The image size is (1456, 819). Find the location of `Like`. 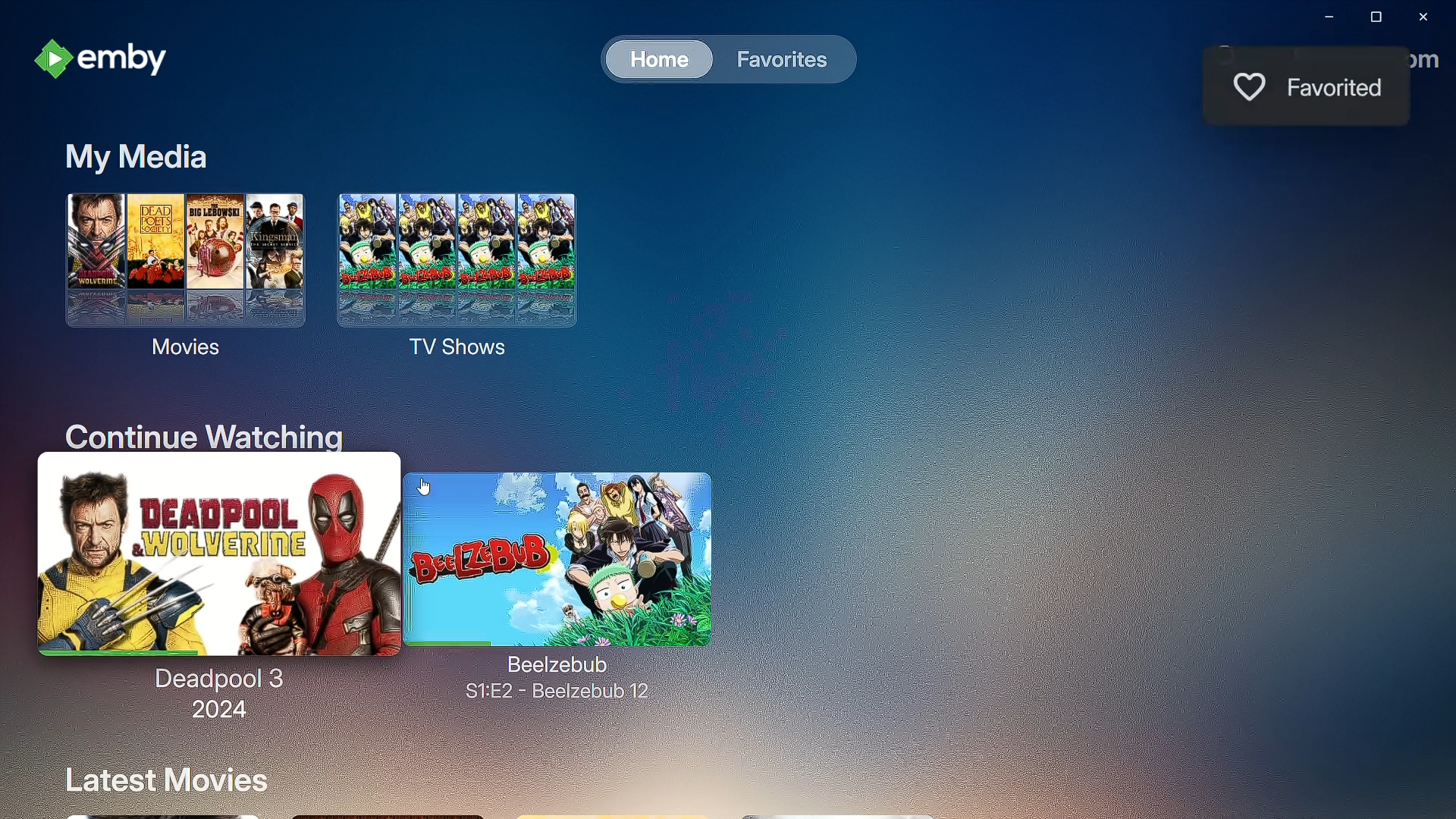

Like is located at coordinates (1247, 86).